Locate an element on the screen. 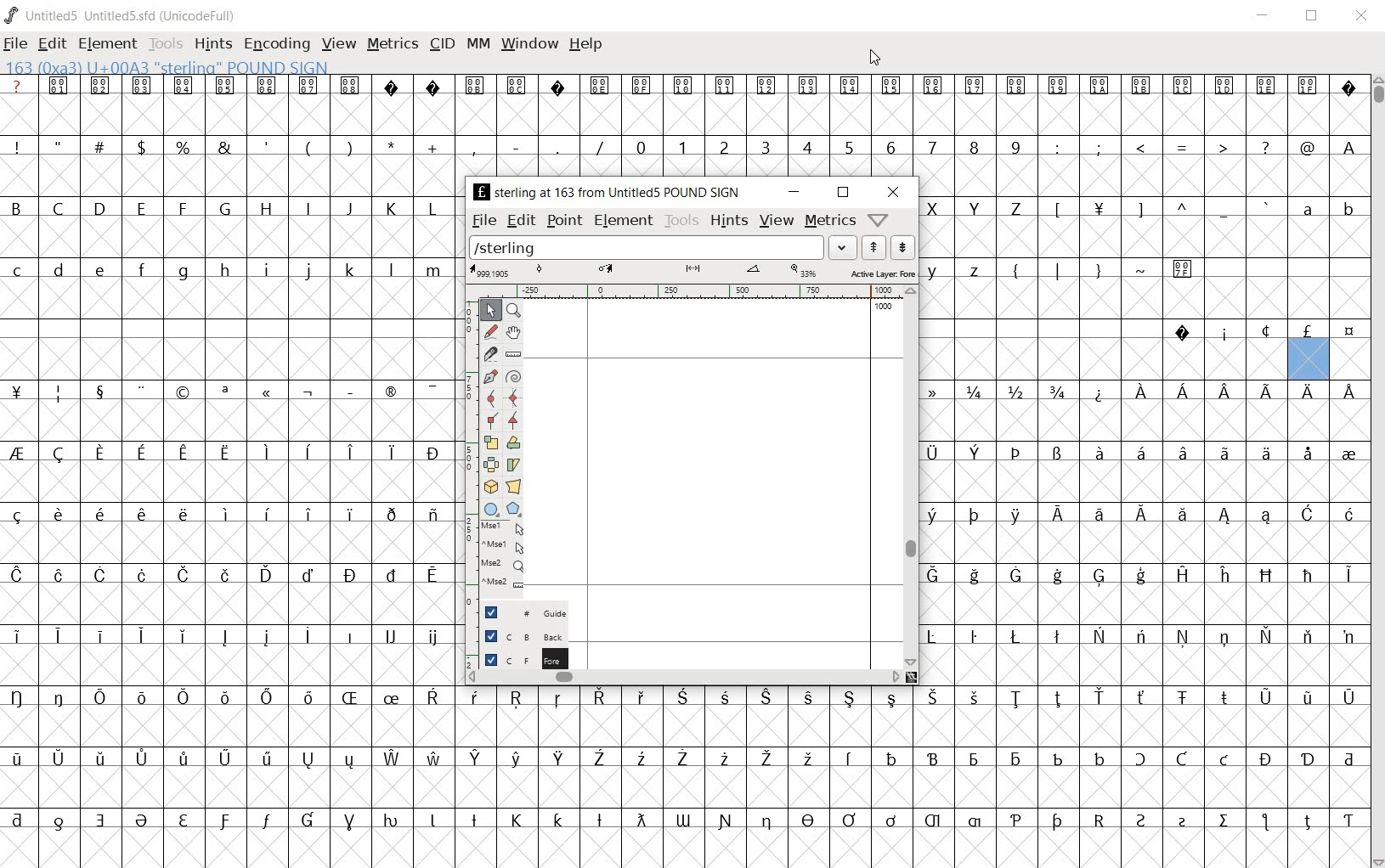  minimize is located at coordinates (1266, 17).